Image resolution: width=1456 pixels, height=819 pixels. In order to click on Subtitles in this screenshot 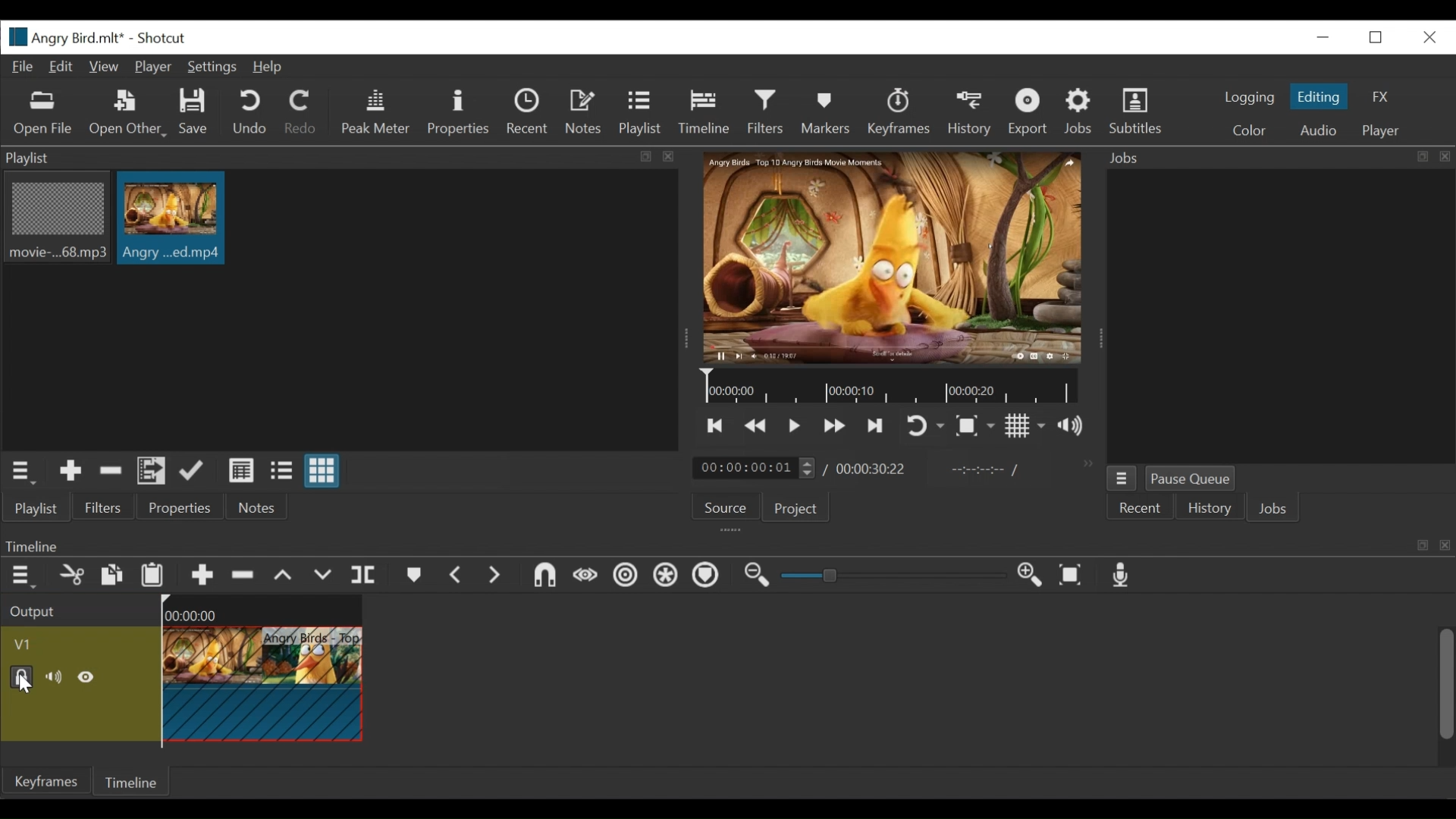, I will do `click(1140, 115)`.